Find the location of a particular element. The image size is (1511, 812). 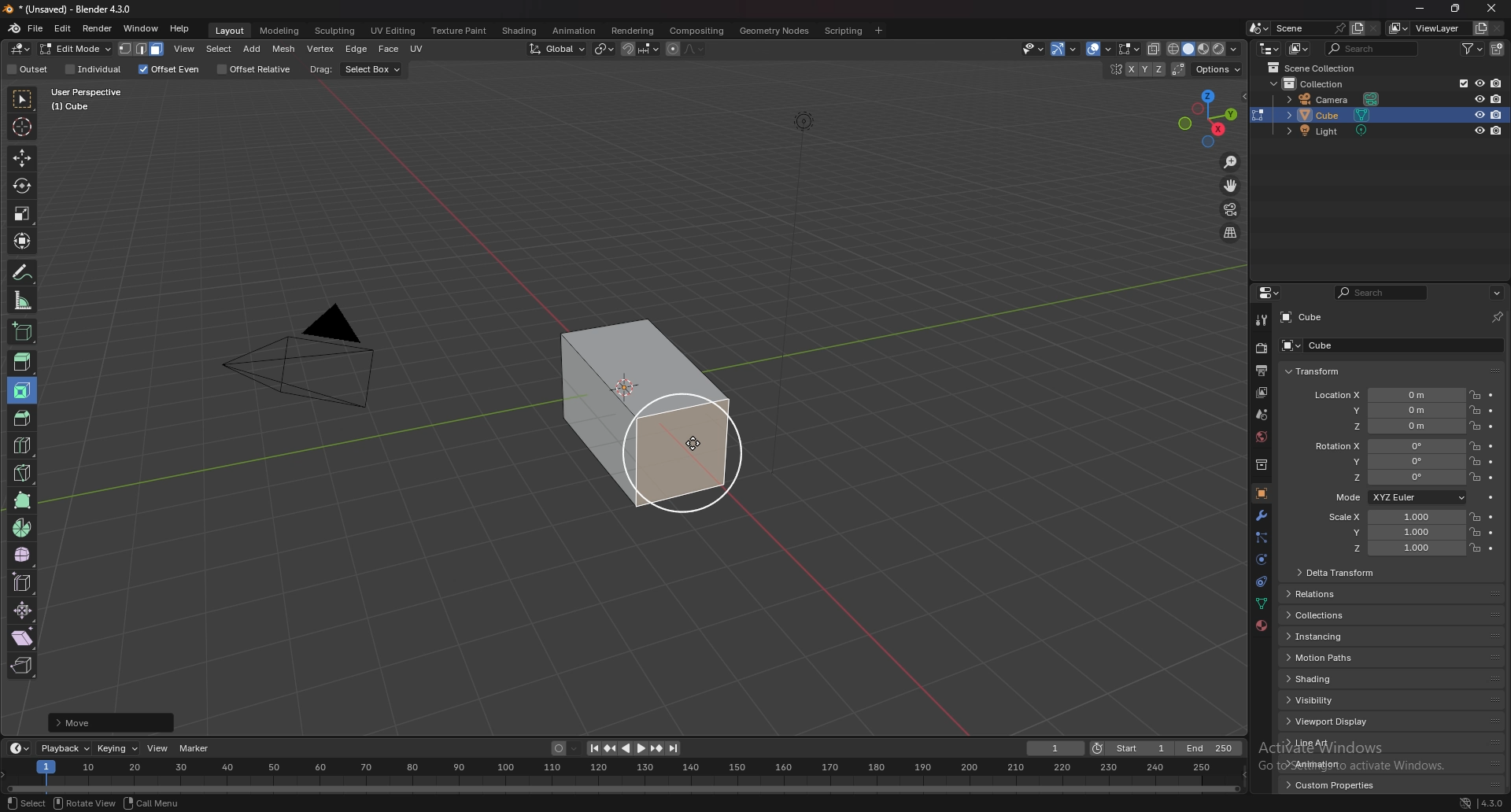

orthographic/perspective is located at coordinates (1231, 234).